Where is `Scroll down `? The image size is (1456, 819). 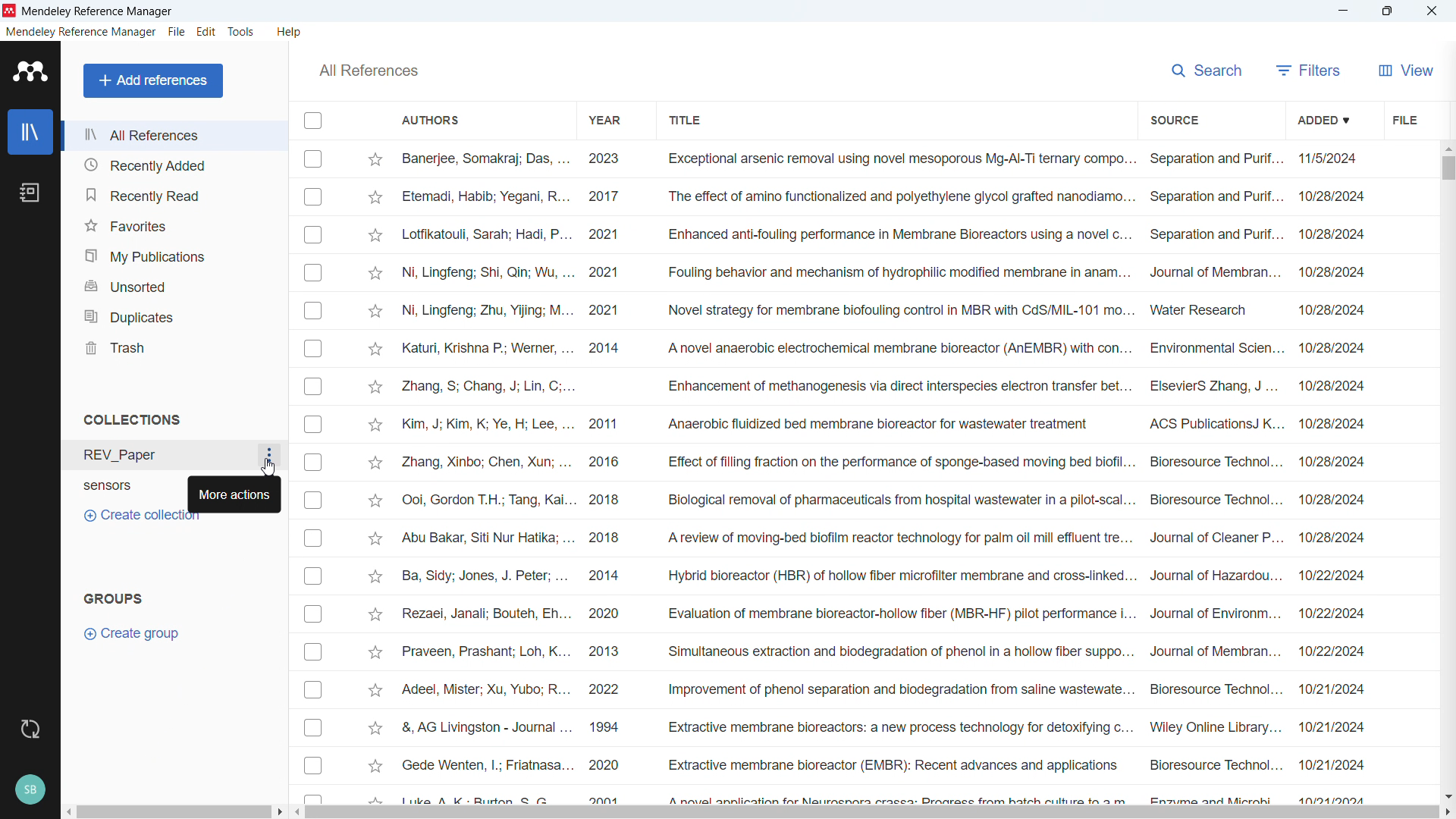
Scroll down  is located at coordinates (1447, 795).